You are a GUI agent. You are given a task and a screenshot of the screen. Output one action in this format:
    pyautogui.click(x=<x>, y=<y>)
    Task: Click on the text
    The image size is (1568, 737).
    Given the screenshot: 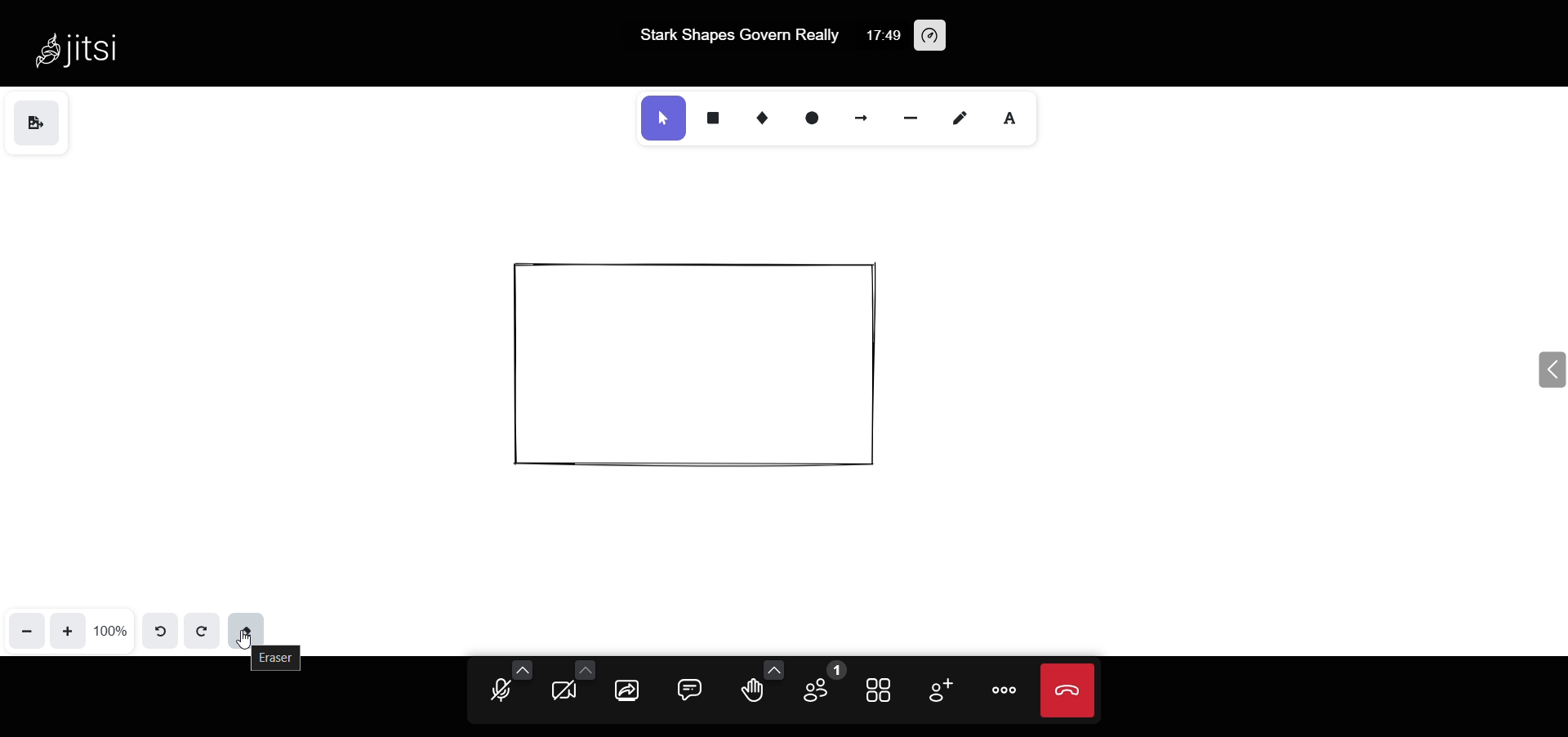 What is the action you would take?
    pyautogui.click(x=1013, y=115)
    